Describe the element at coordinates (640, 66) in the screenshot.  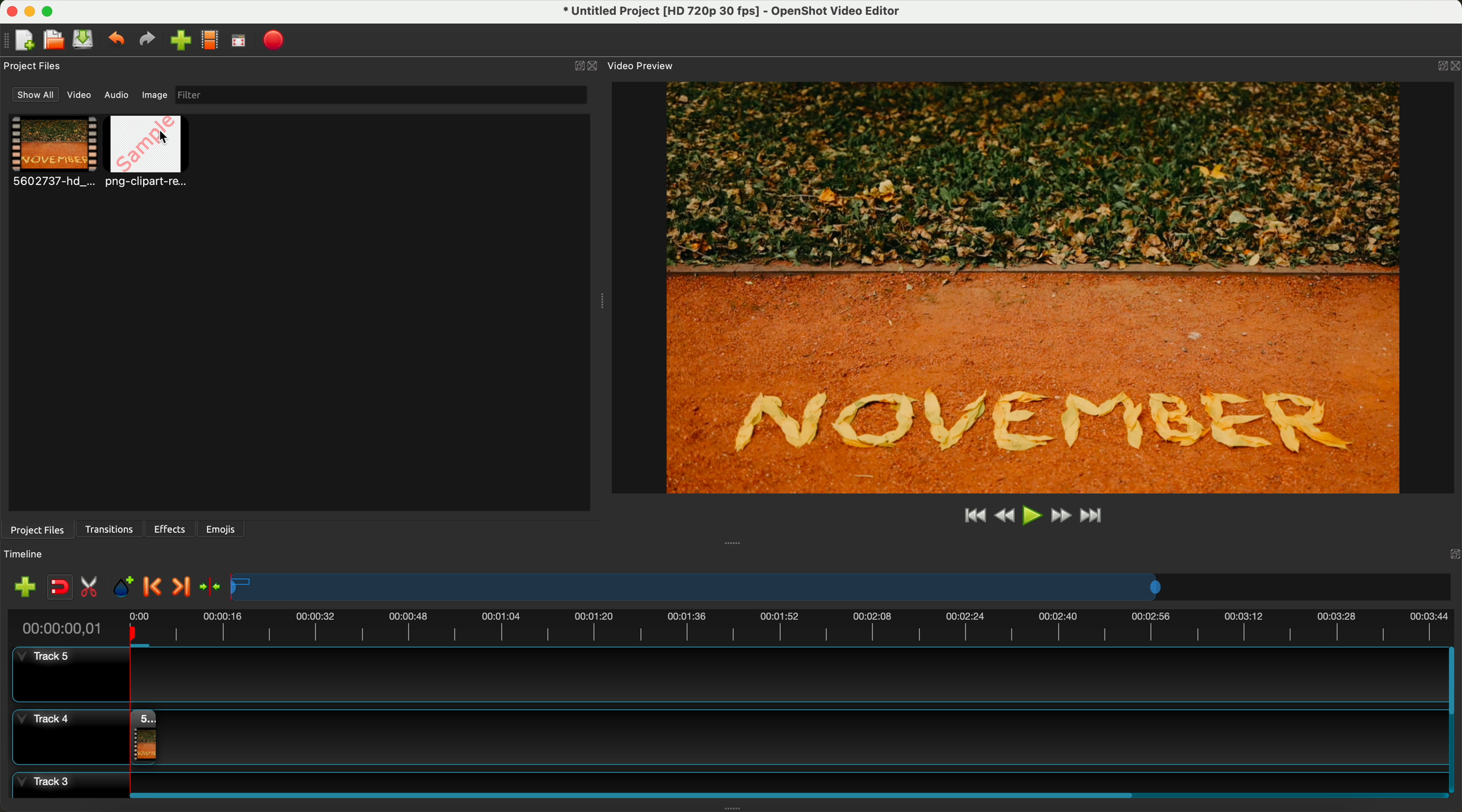
I see `video preview` at that location.